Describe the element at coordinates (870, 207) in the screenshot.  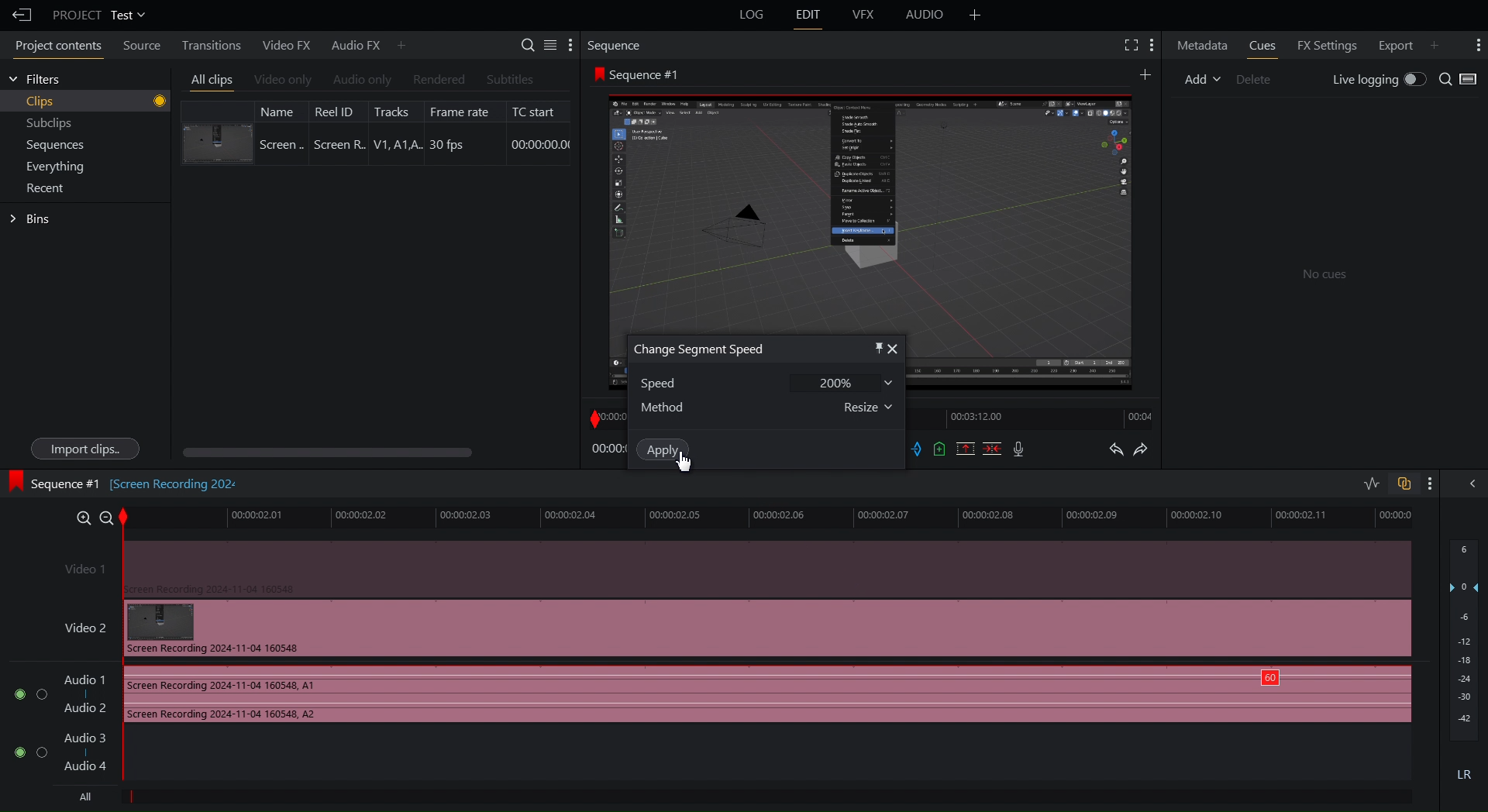
I see `Preview ` at that location.